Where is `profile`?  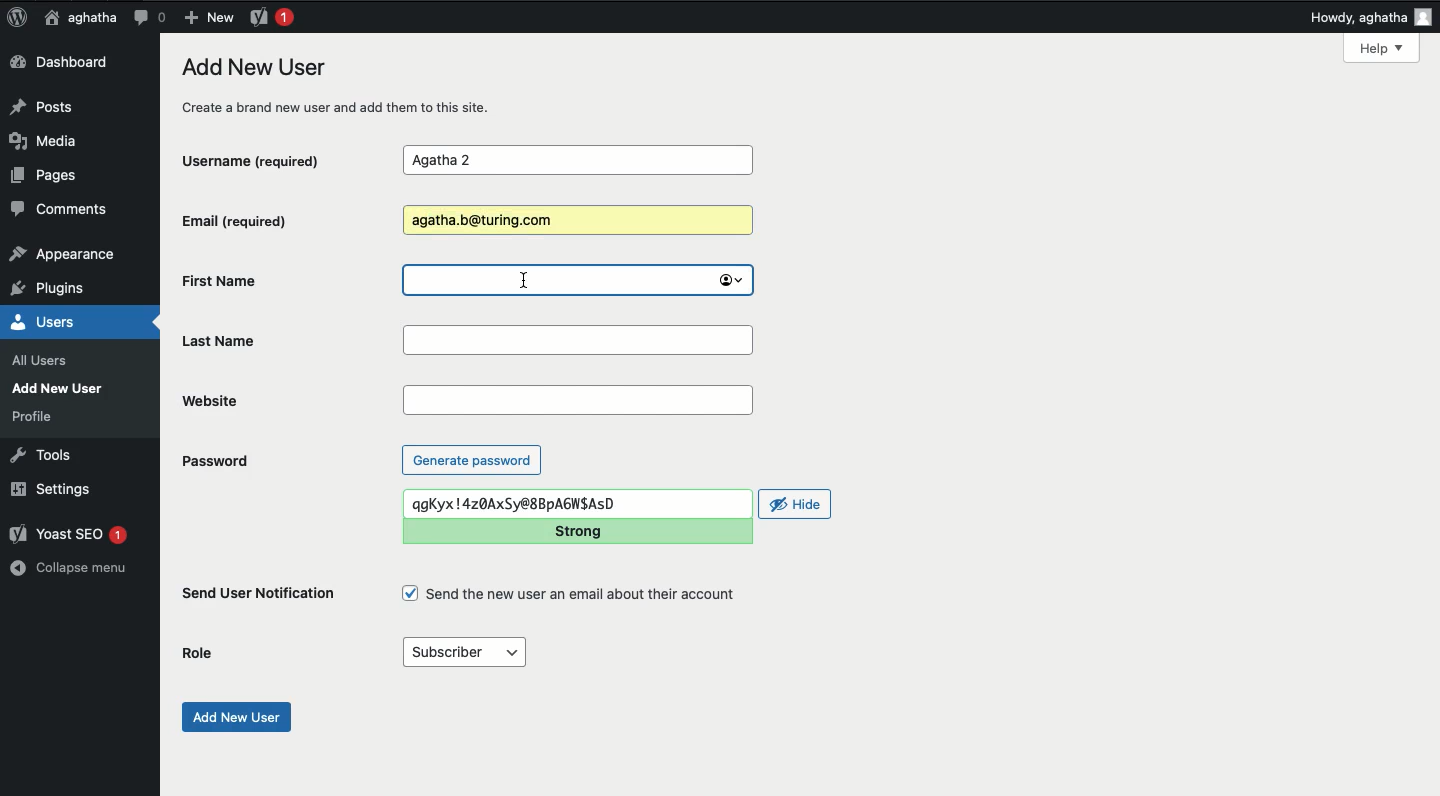 profile is located at coordinates (38, 416).